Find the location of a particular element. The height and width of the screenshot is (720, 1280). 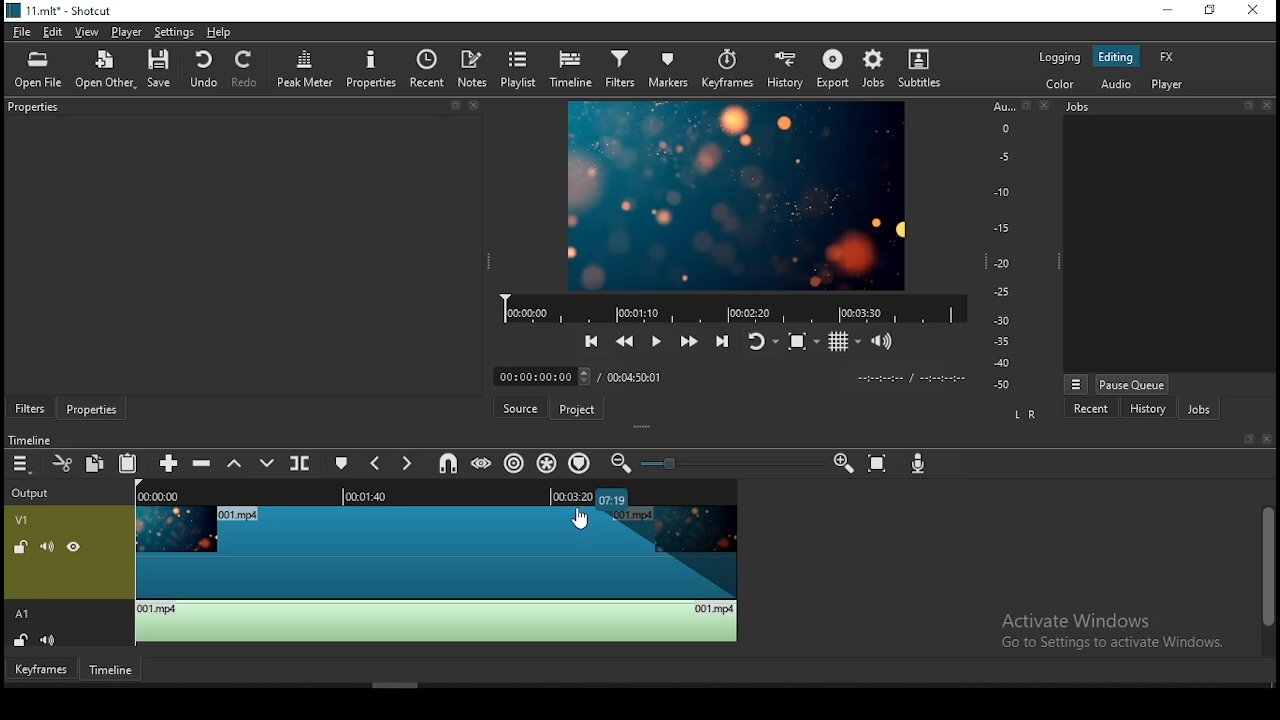

history is located at coordinates (1139, 410).